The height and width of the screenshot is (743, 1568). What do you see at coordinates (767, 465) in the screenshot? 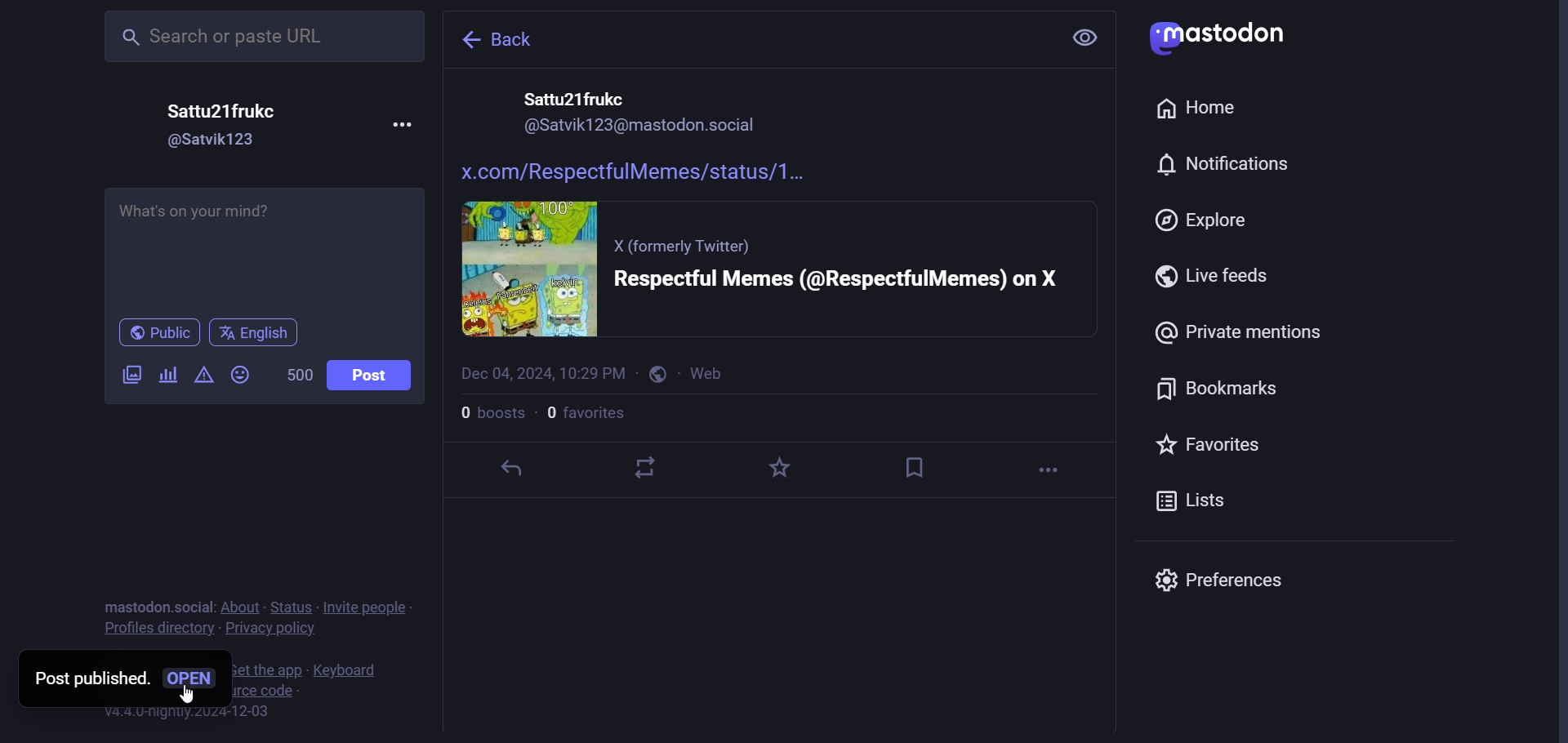
I see `favorite` at bounding box center [767, 465].